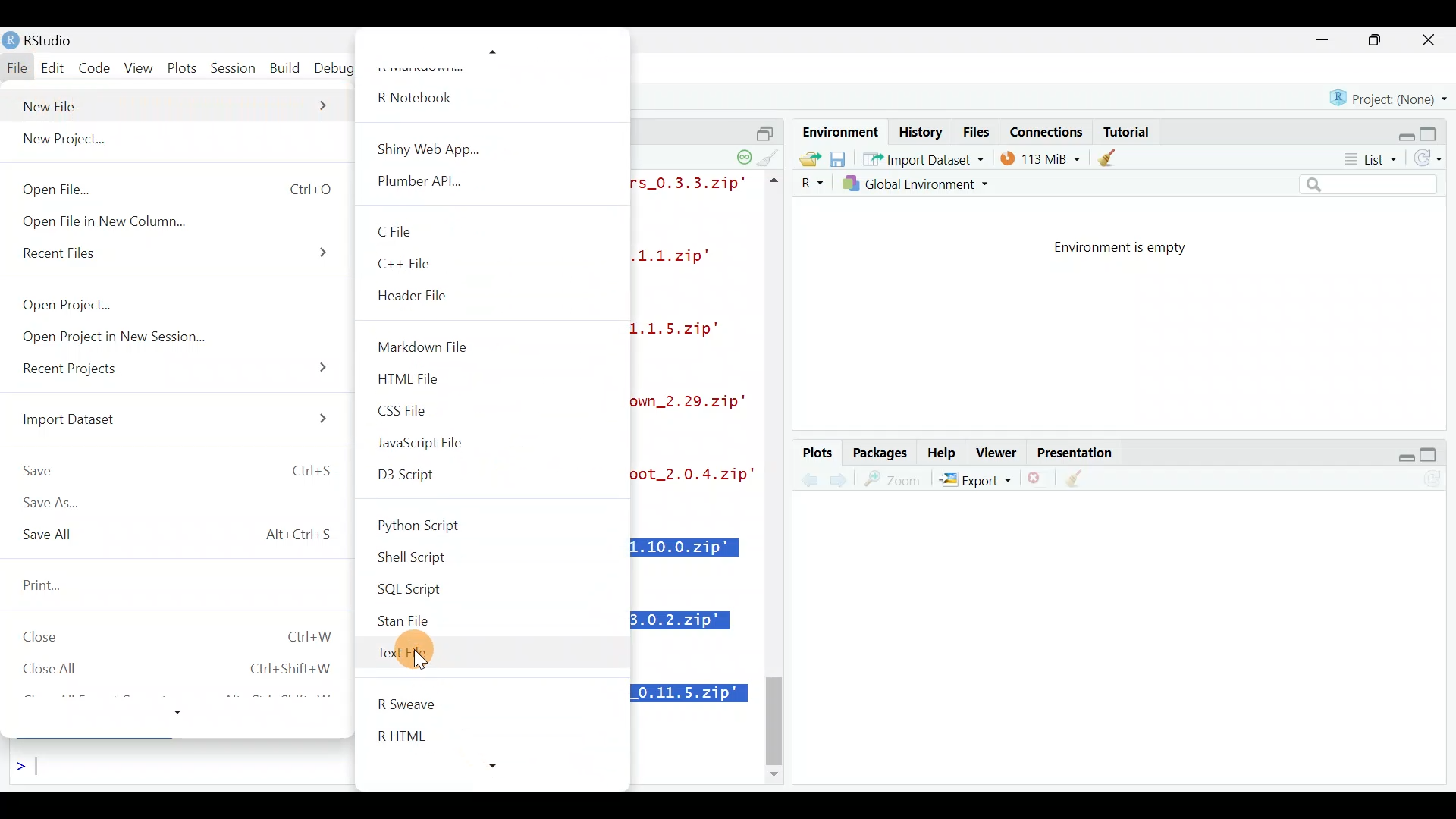 Image resolution: width=1456 pixels, height=819 pixels. I want to click on R, so click(810, 184).